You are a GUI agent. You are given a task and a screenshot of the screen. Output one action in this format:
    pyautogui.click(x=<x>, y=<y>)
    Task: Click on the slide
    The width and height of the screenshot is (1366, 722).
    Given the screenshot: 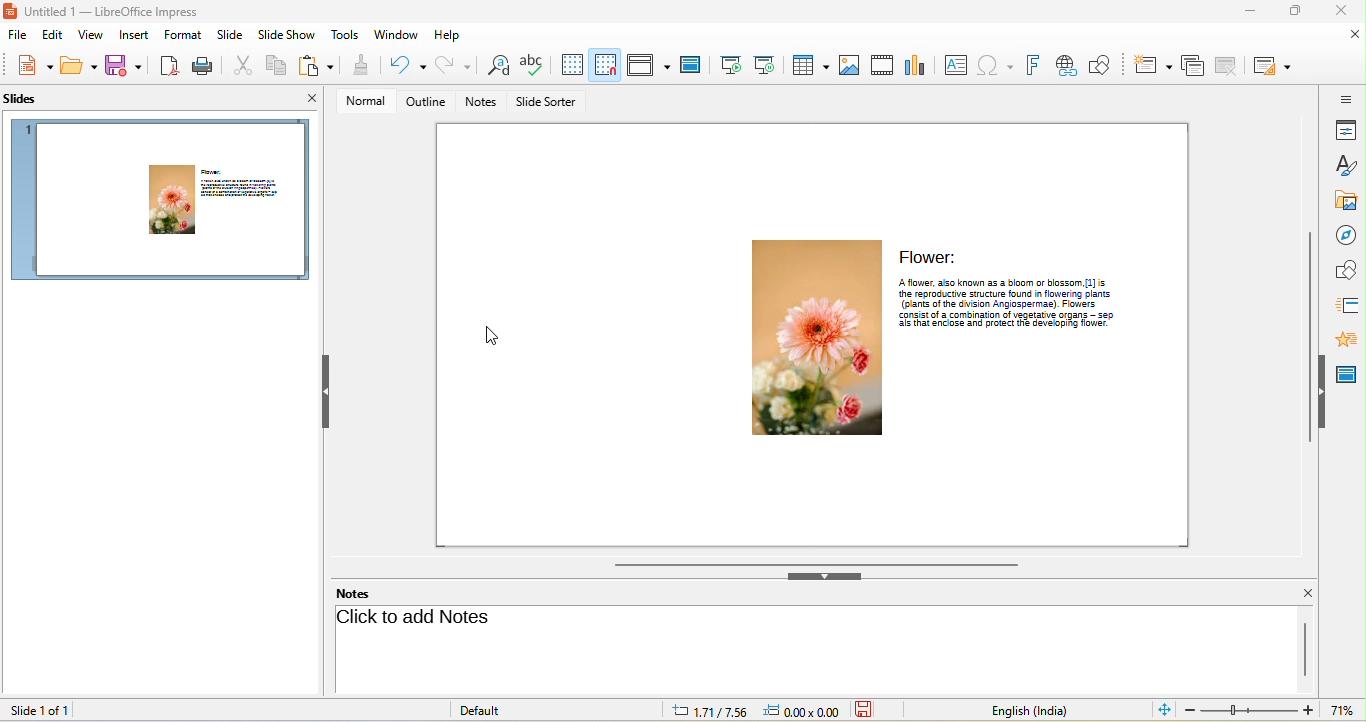 What is the action you would take?
    pyautogui.click(x=230, y=36)
    